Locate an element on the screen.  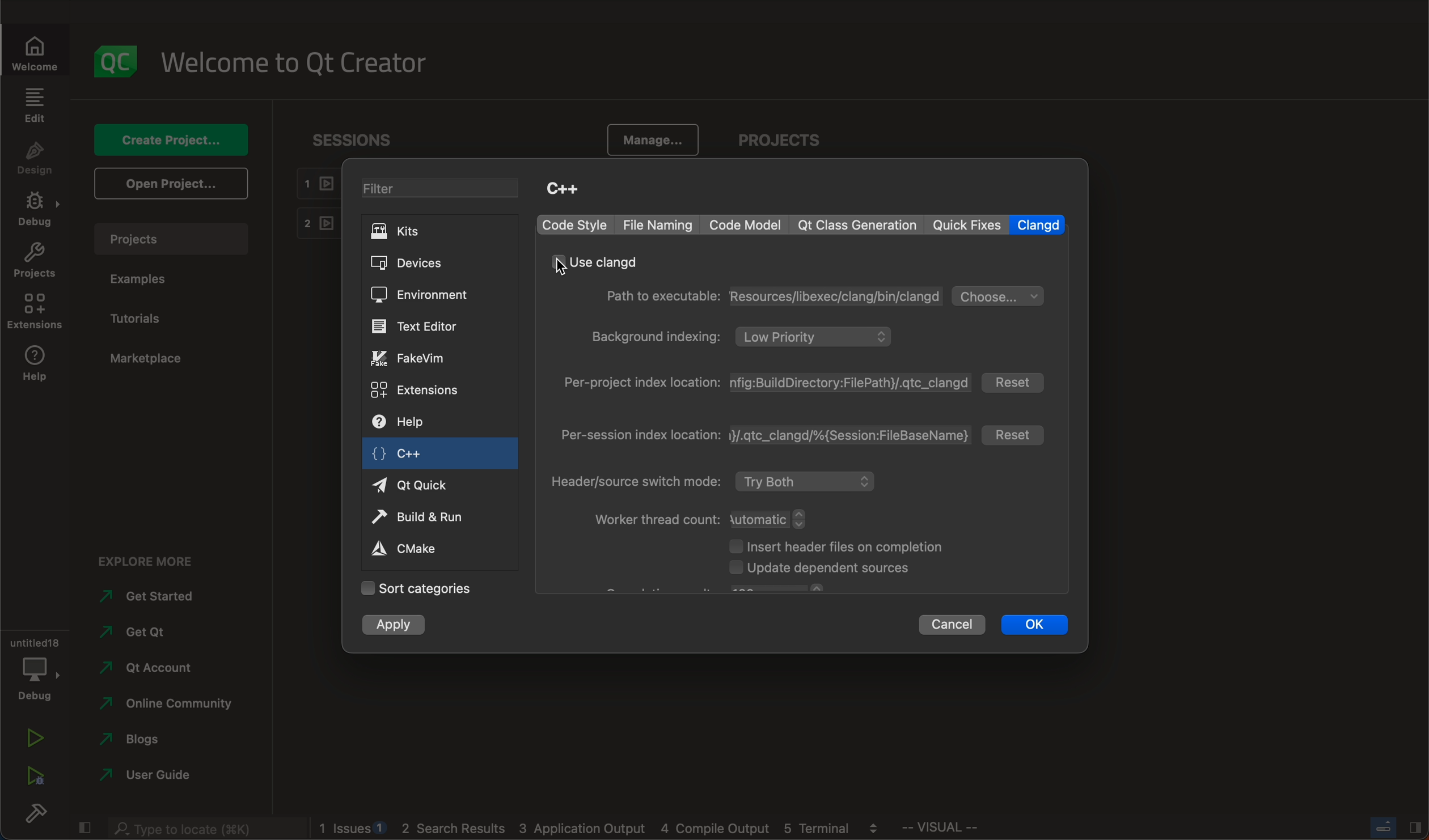
qt is located at coordinates (425, 485).